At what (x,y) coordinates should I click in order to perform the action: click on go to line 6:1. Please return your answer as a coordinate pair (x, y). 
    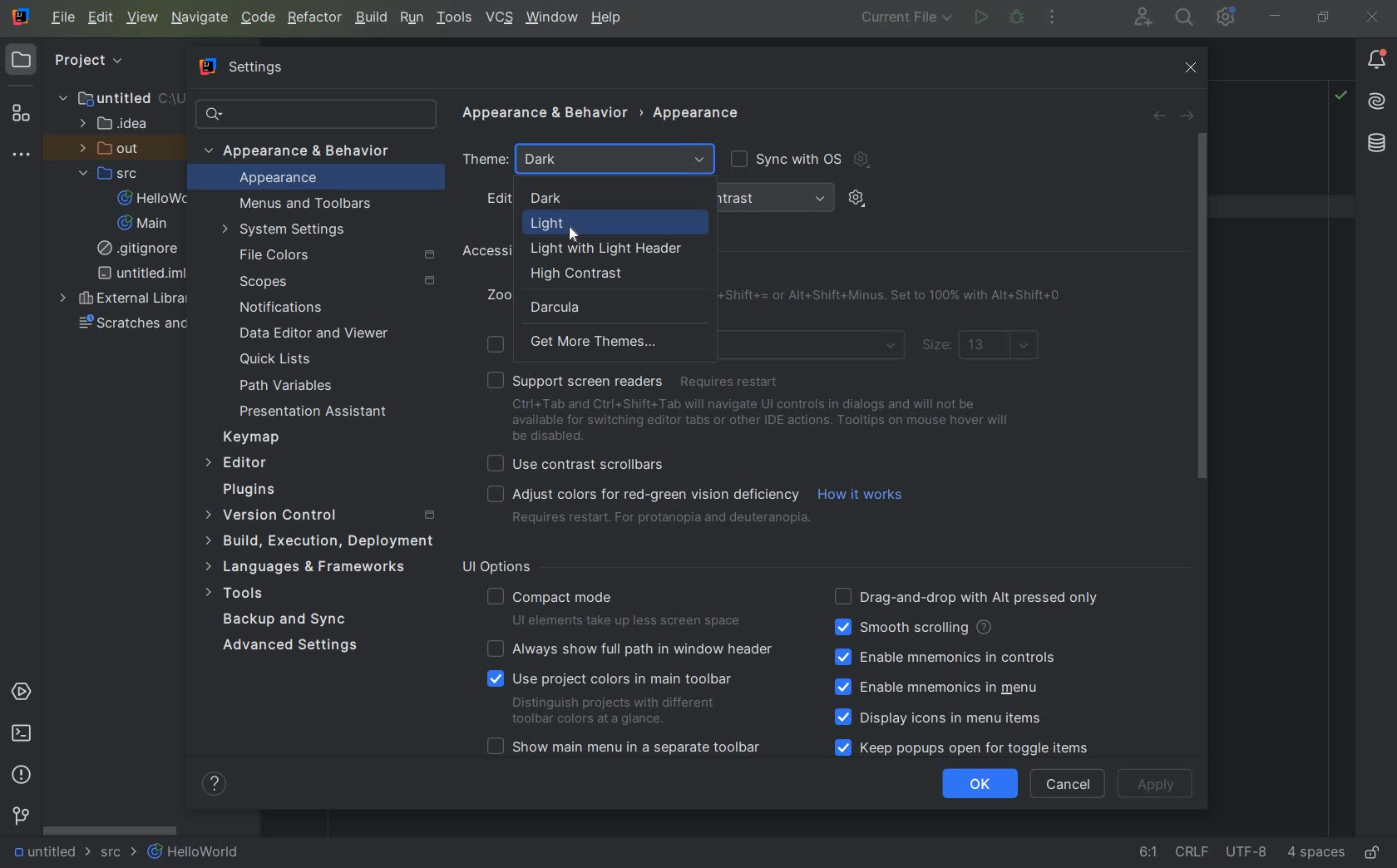
    Looking at the image, I should click on (1148, 853).